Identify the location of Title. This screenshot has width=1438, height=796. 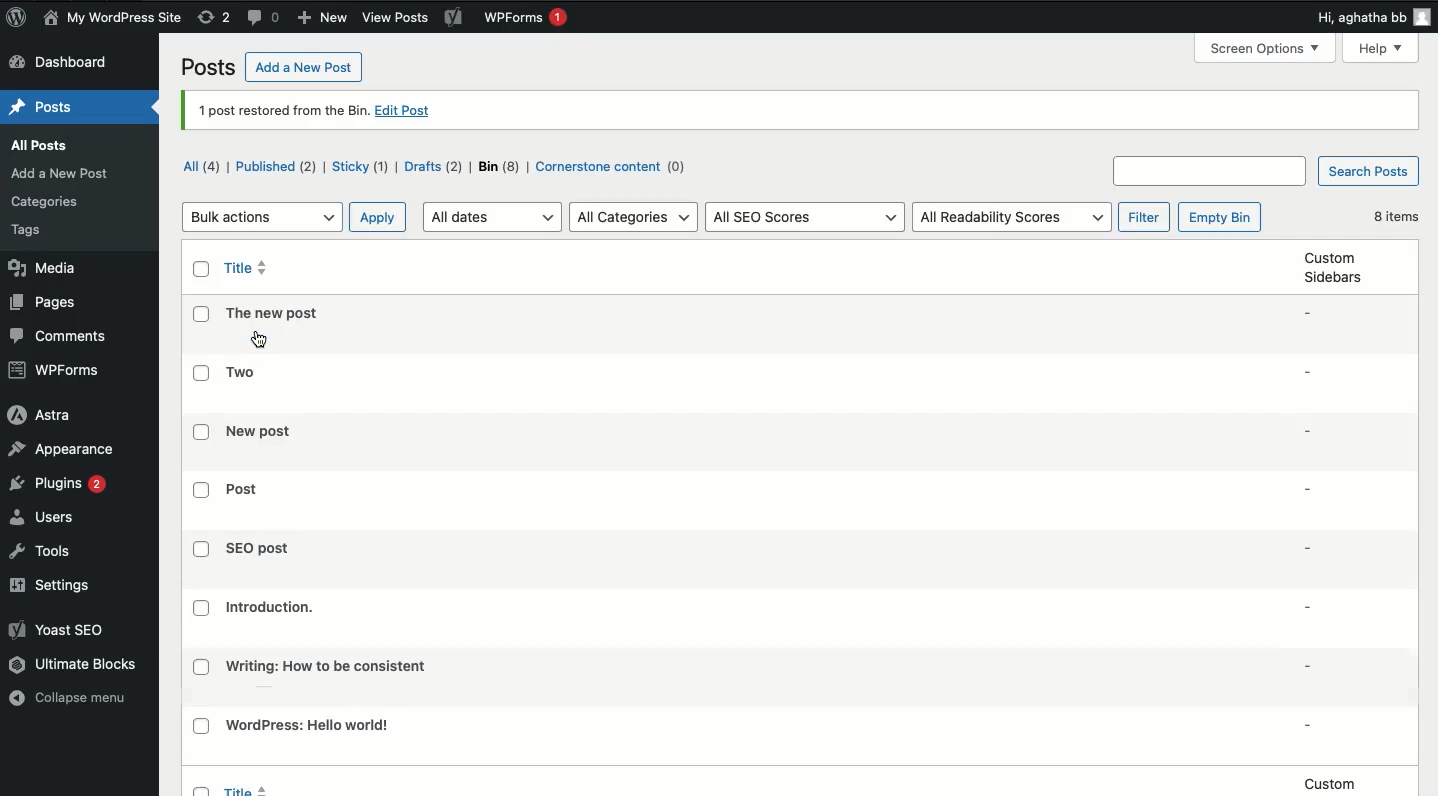
(248, 266).